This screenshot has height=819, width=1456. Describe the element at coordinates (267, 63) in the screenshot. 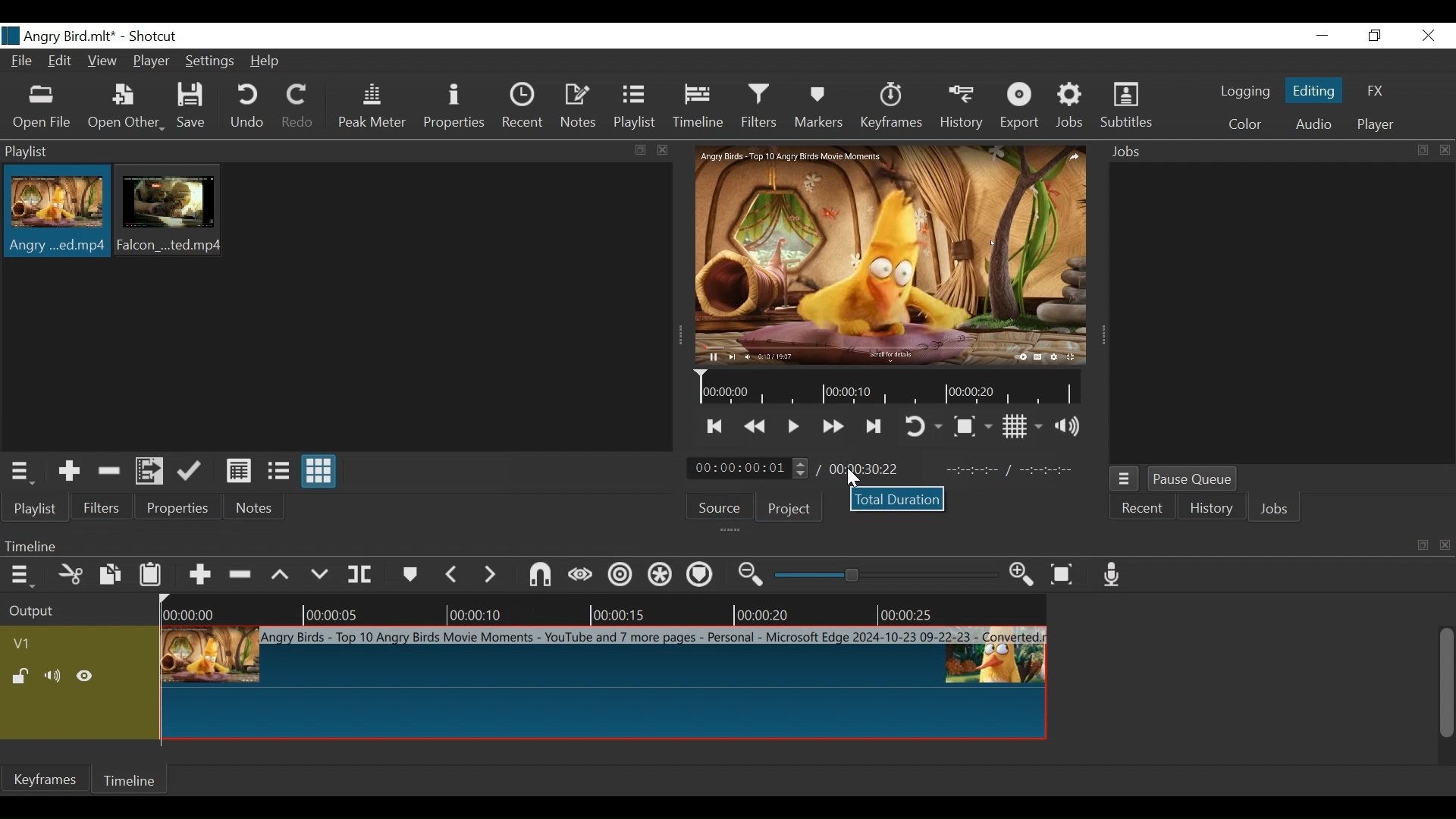

I see `Help` at that location.